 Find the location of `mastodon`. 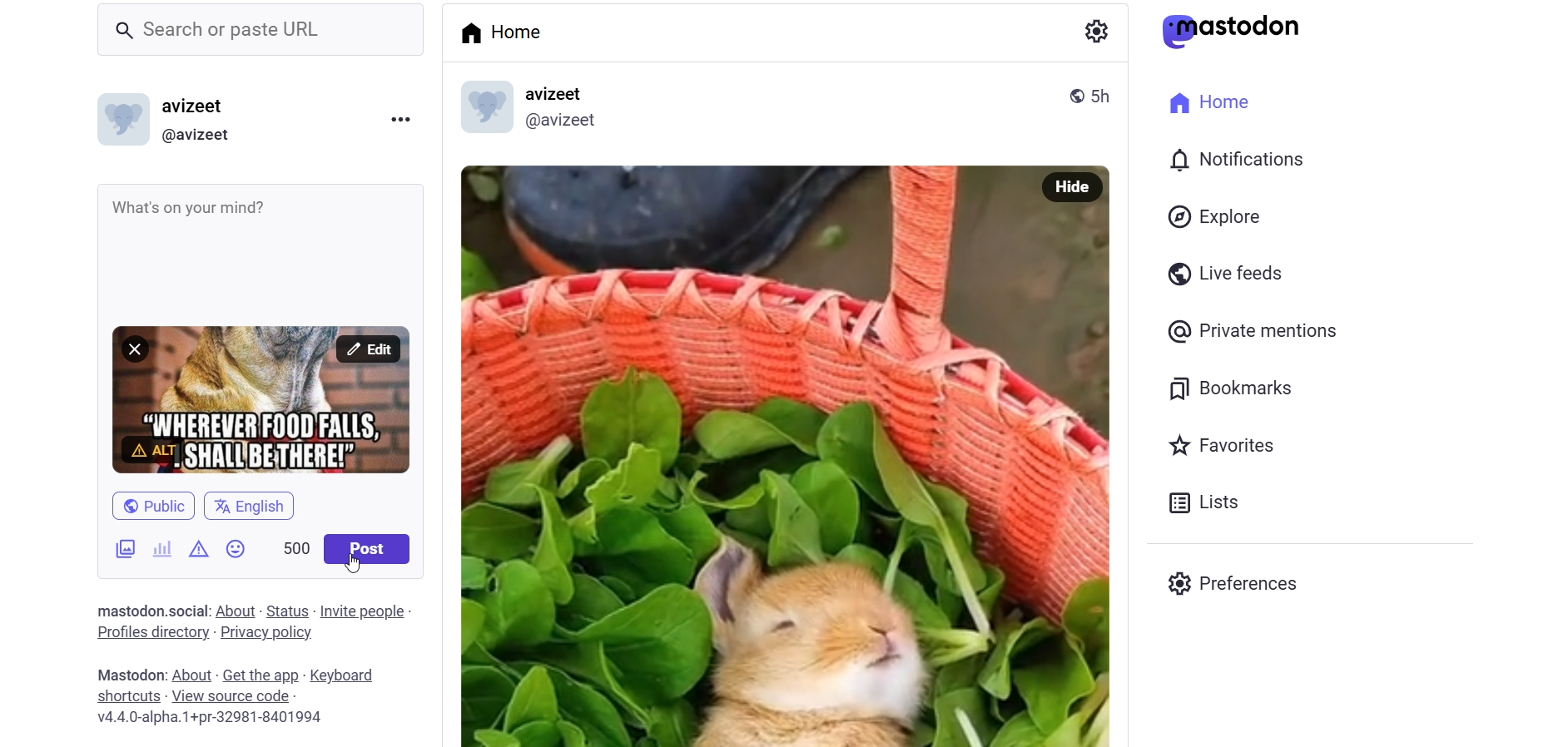

mastodon is located at coordinates (1239, 29).